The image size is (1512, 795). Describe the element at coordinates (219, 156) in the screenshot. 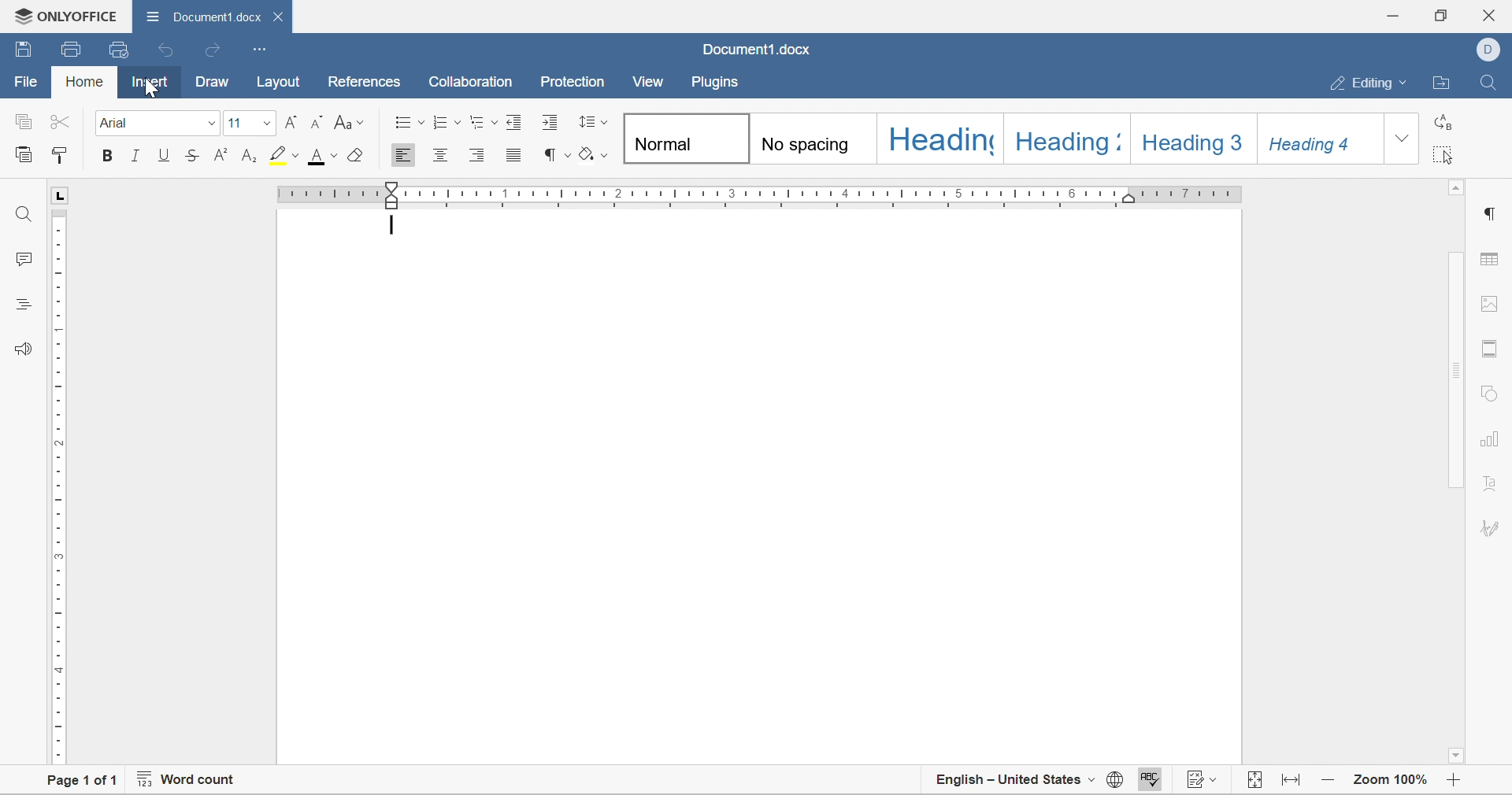

I see `Superscript` at that location.